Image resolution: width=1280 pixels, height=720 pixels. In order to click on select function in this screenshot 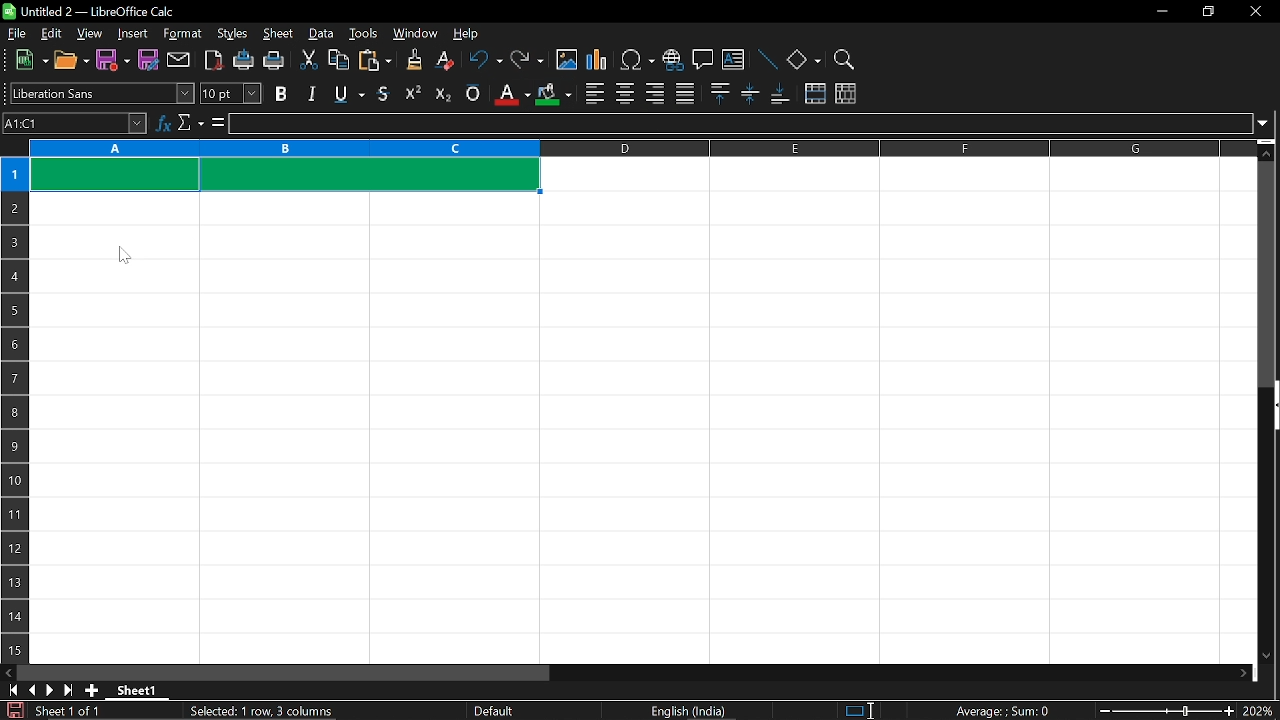, I will do `click(190, 124)`.